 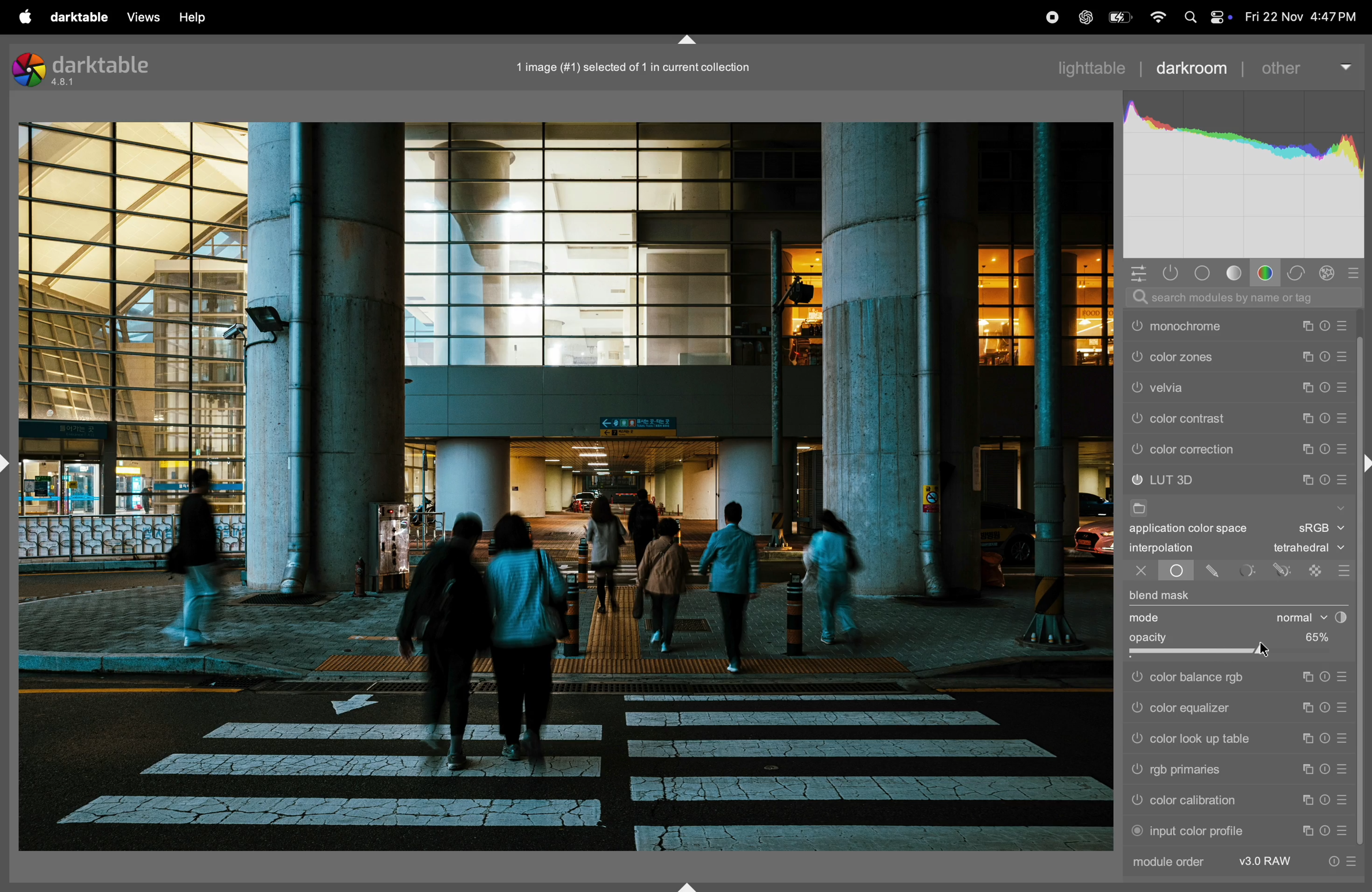 What do you see at coordinates (1344, 384) in the screenshot?
I see `presets` at bounding box center [1344, 384].